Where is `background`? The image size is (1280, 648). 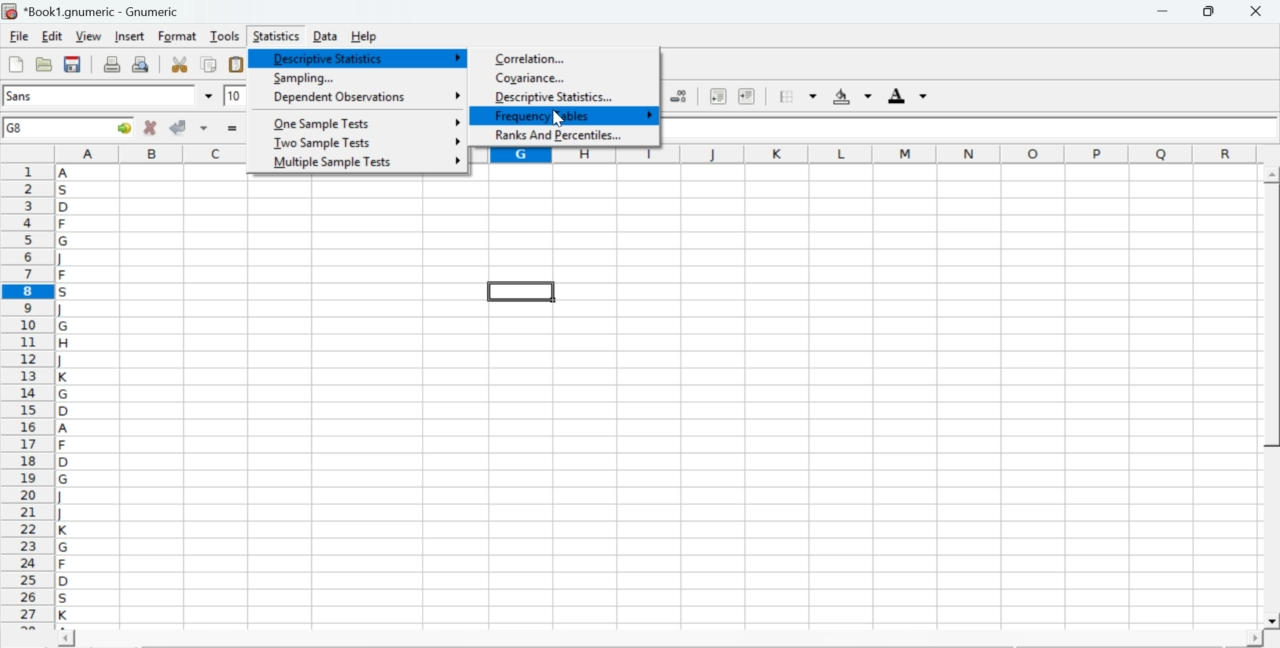 background is located at coordinates (854, 96).